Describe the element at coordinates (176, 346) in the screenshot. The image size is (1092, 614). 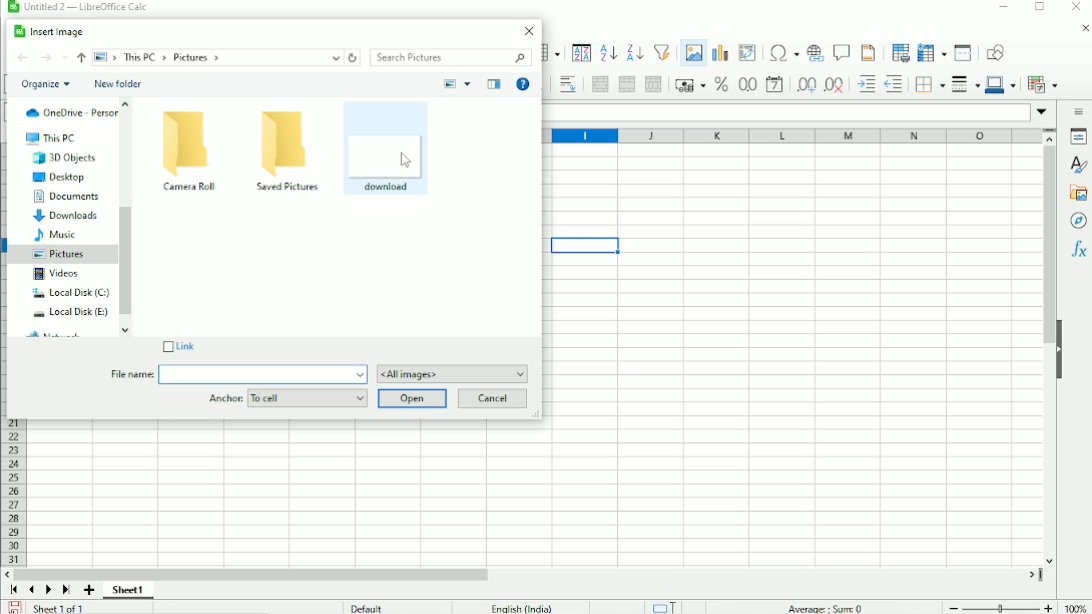
I see `Link` at that location.